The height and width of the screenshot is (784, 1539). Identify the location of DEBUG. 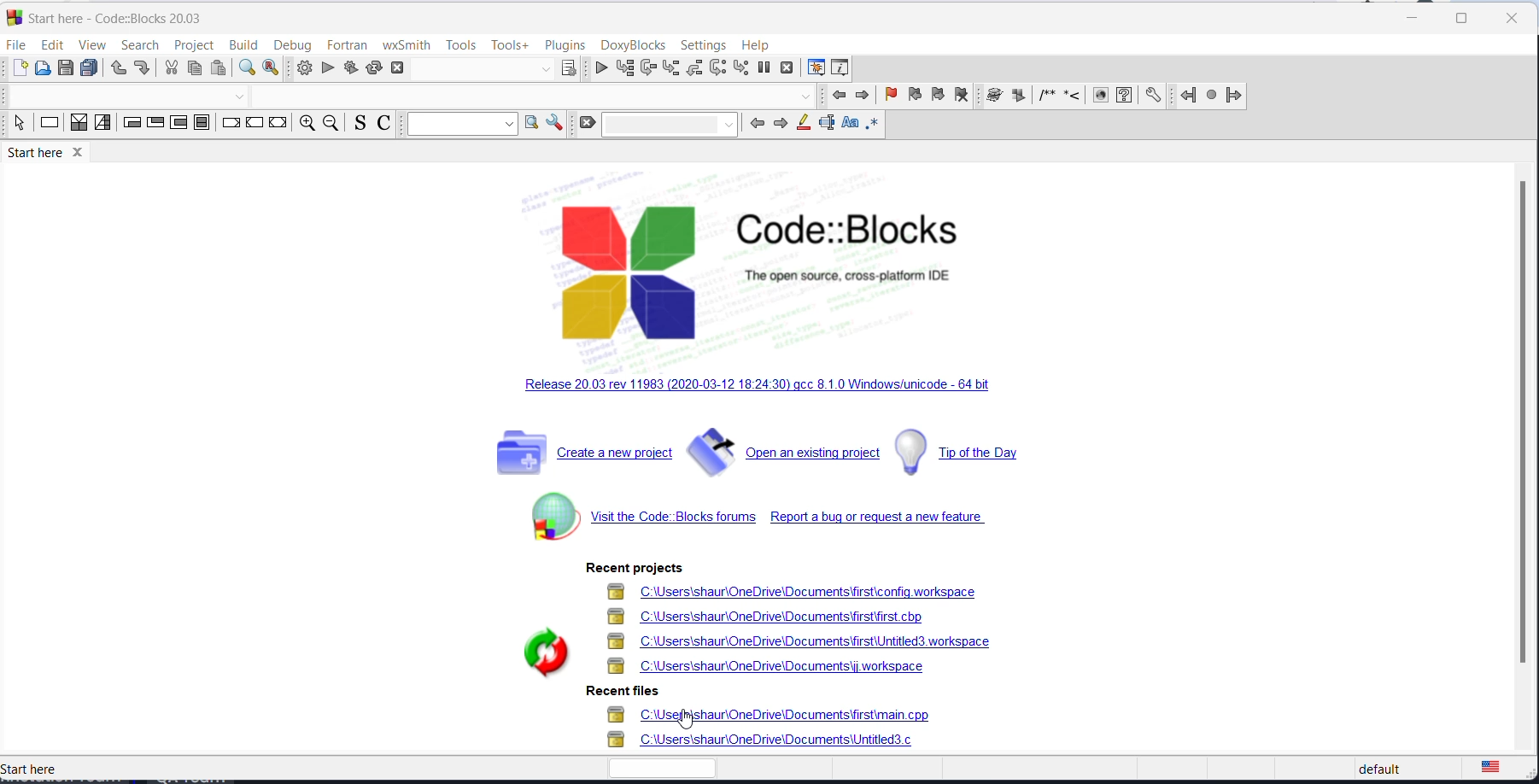
(597, 69).